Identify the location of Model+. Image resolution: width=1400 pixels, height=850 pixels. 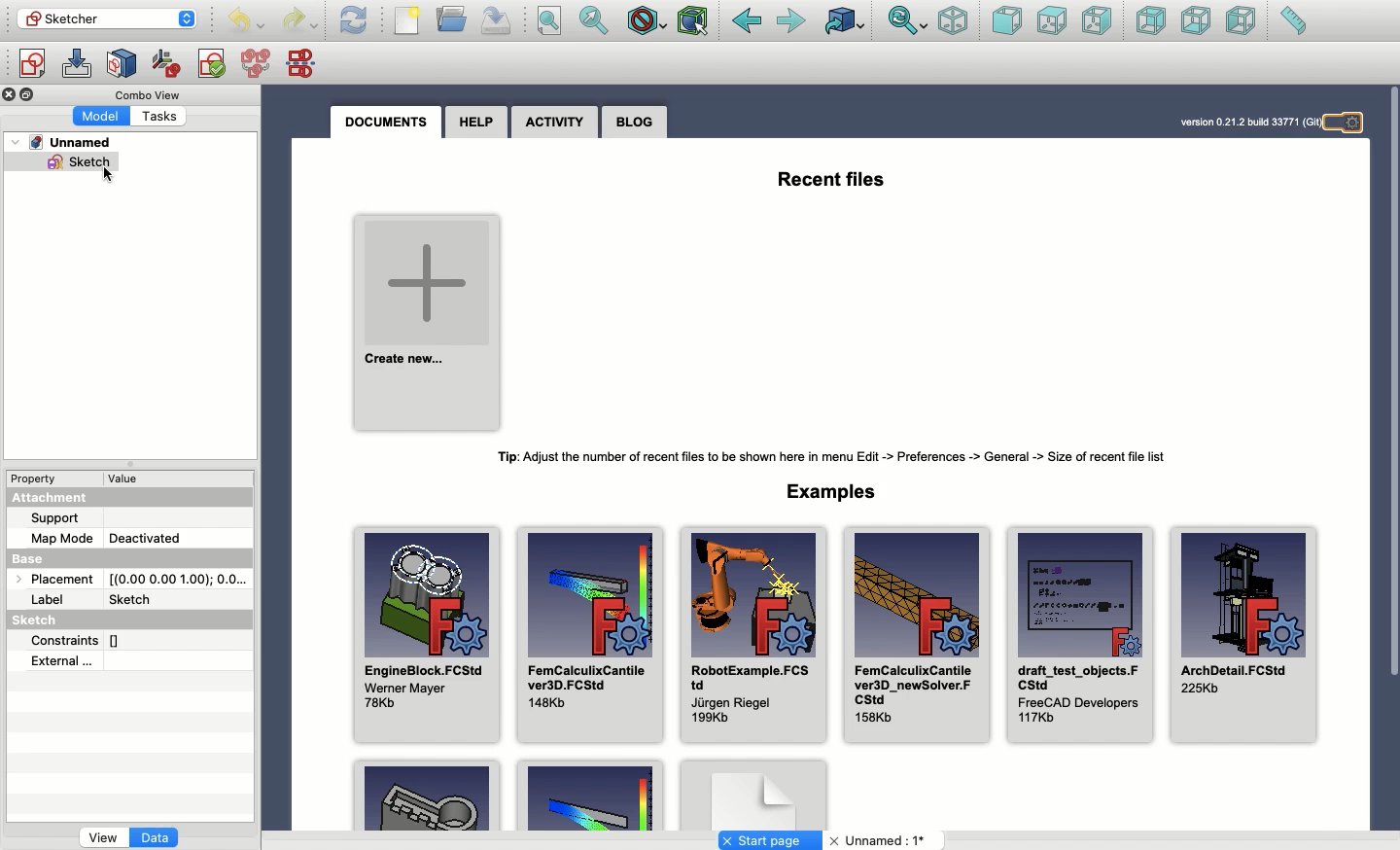
(103, 115).